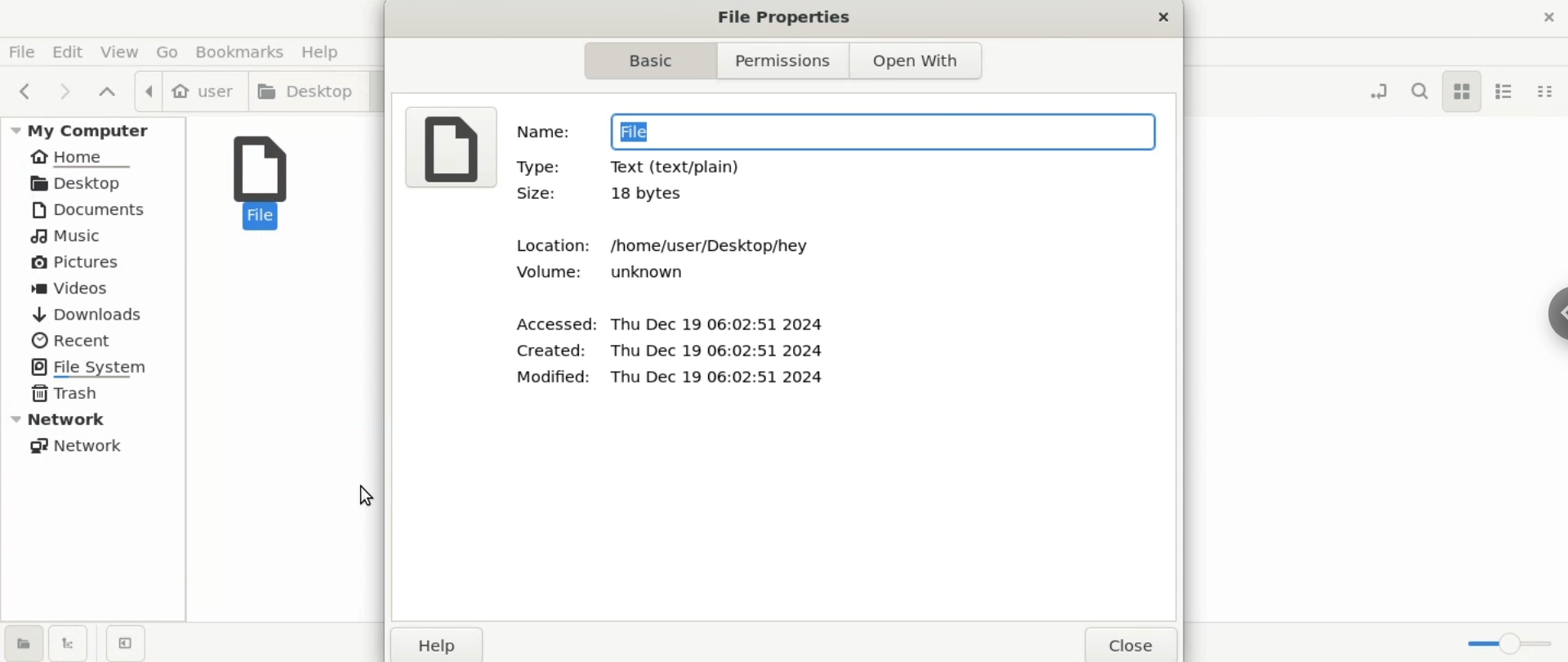  What do you see at coordinates (21, 644) in the screenshot?
I see `show places` at bounding box center [21, 644].